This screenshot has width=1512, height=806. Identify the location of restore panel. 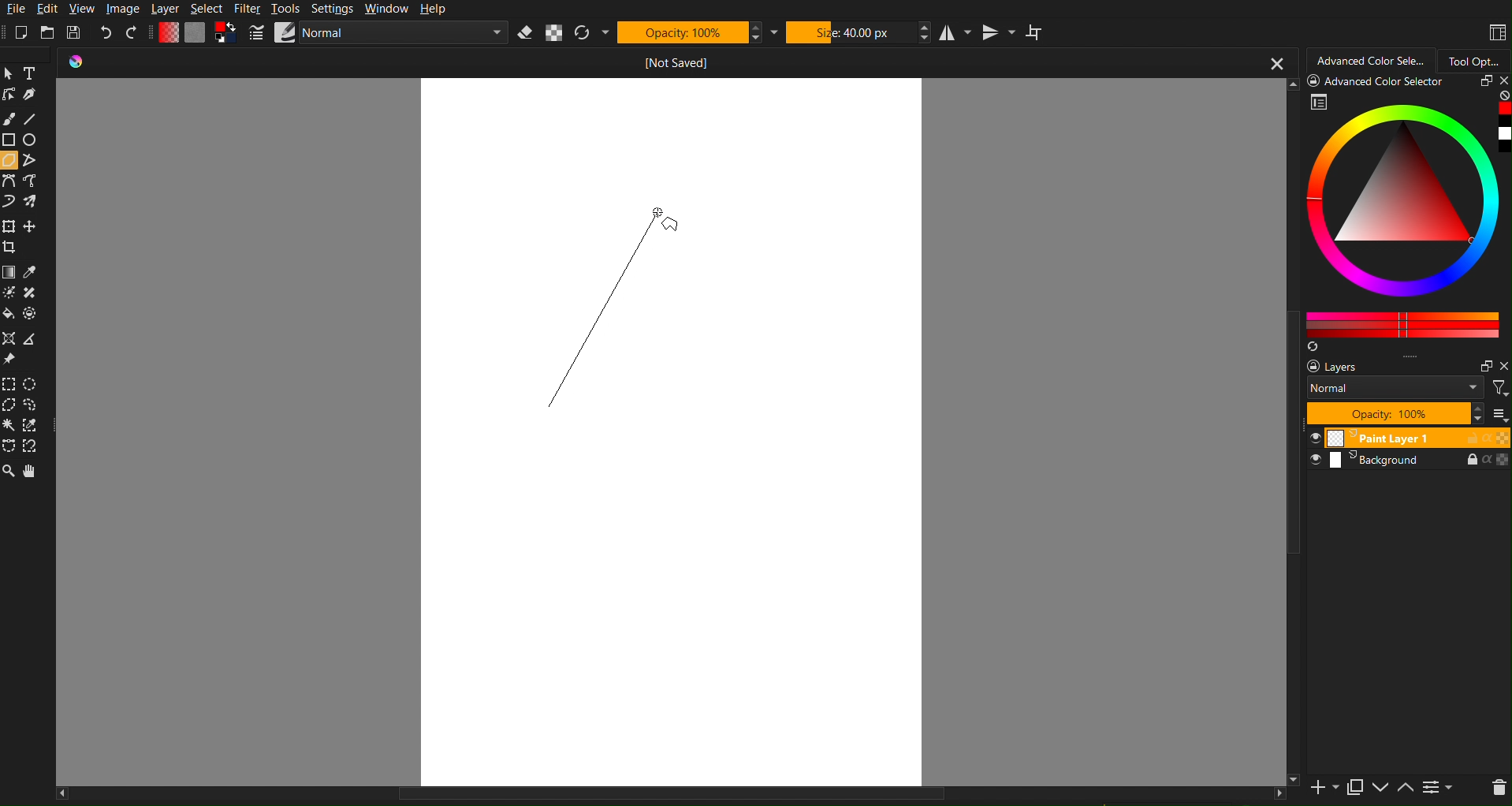
(1483, 83).